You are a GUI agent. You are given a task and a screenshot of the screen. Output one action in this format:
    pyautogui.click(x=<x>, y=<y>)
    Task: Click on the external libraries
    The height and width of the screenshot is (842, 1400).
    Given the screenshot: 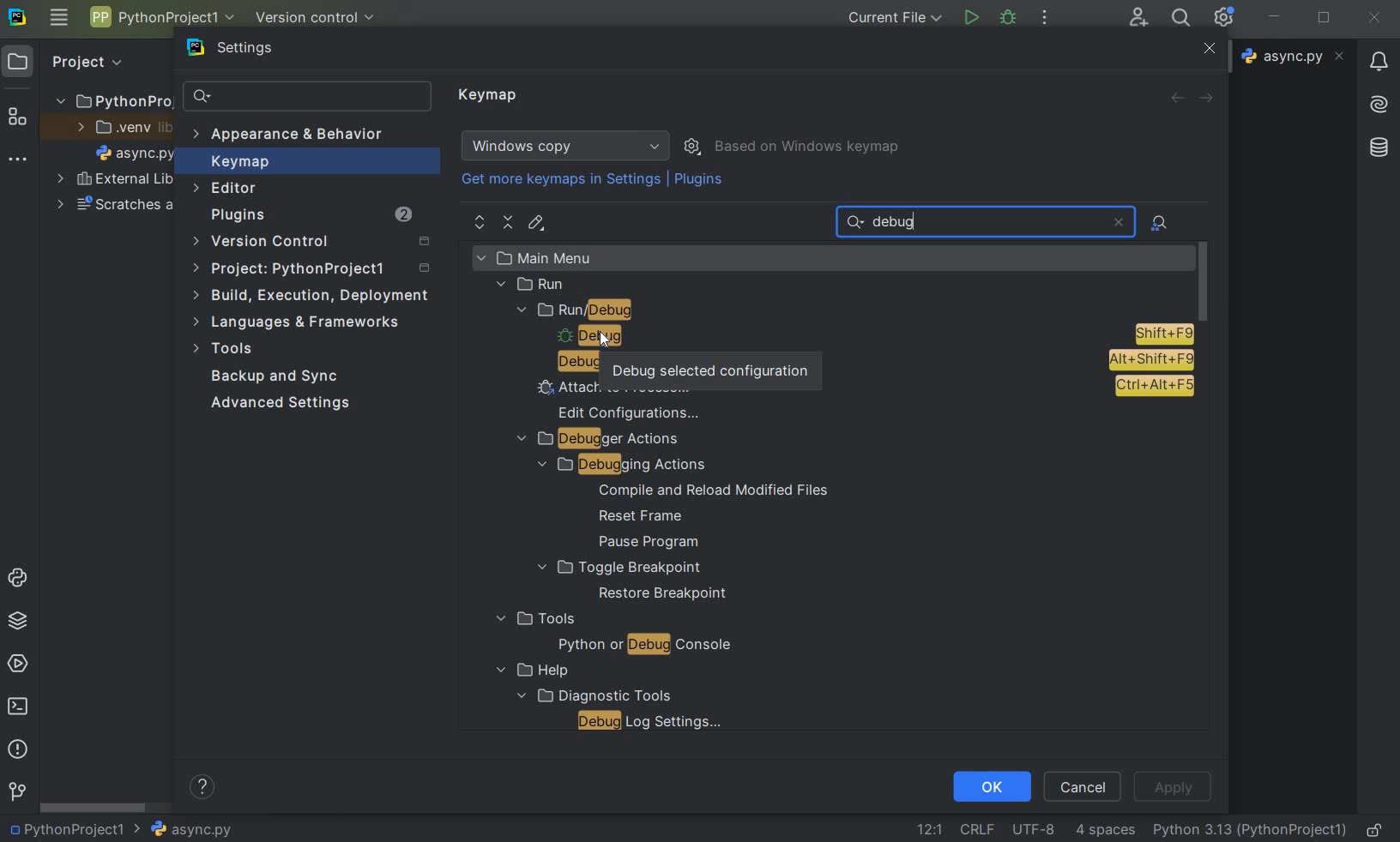 What is the action you would take?
    pyautogui.click(x=115, y=181)
    